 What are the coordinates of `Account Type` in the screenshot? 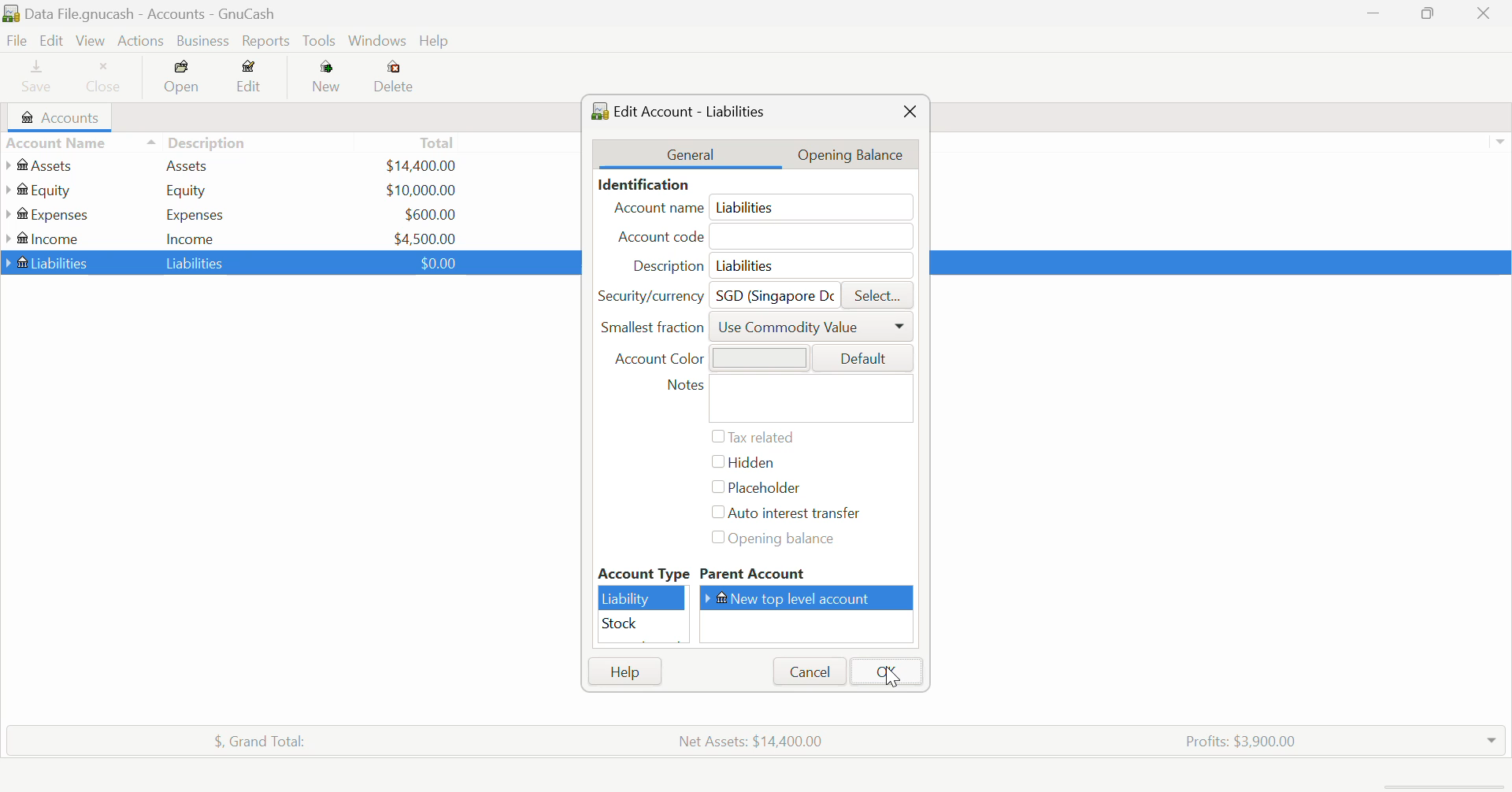 It's located at (642, 574).